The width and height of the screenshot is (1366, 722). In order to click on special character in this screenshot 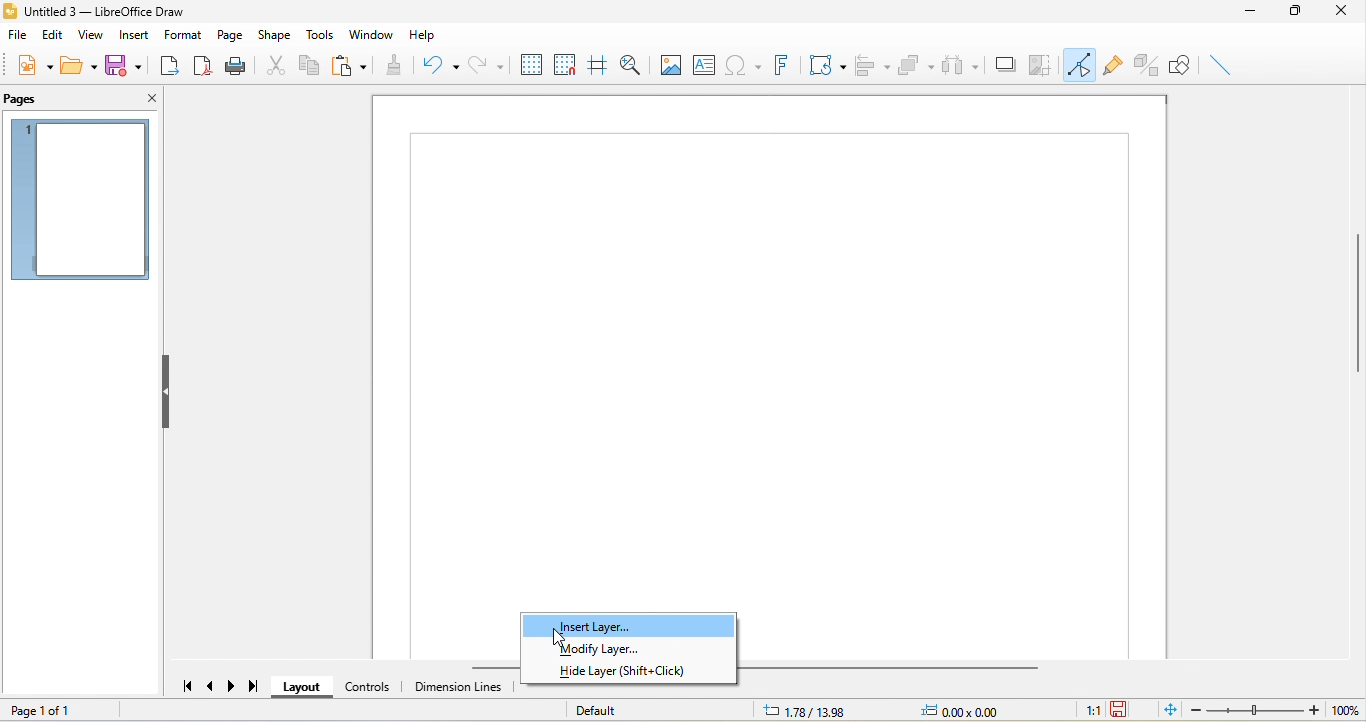, I will do `click(741, 66)`.